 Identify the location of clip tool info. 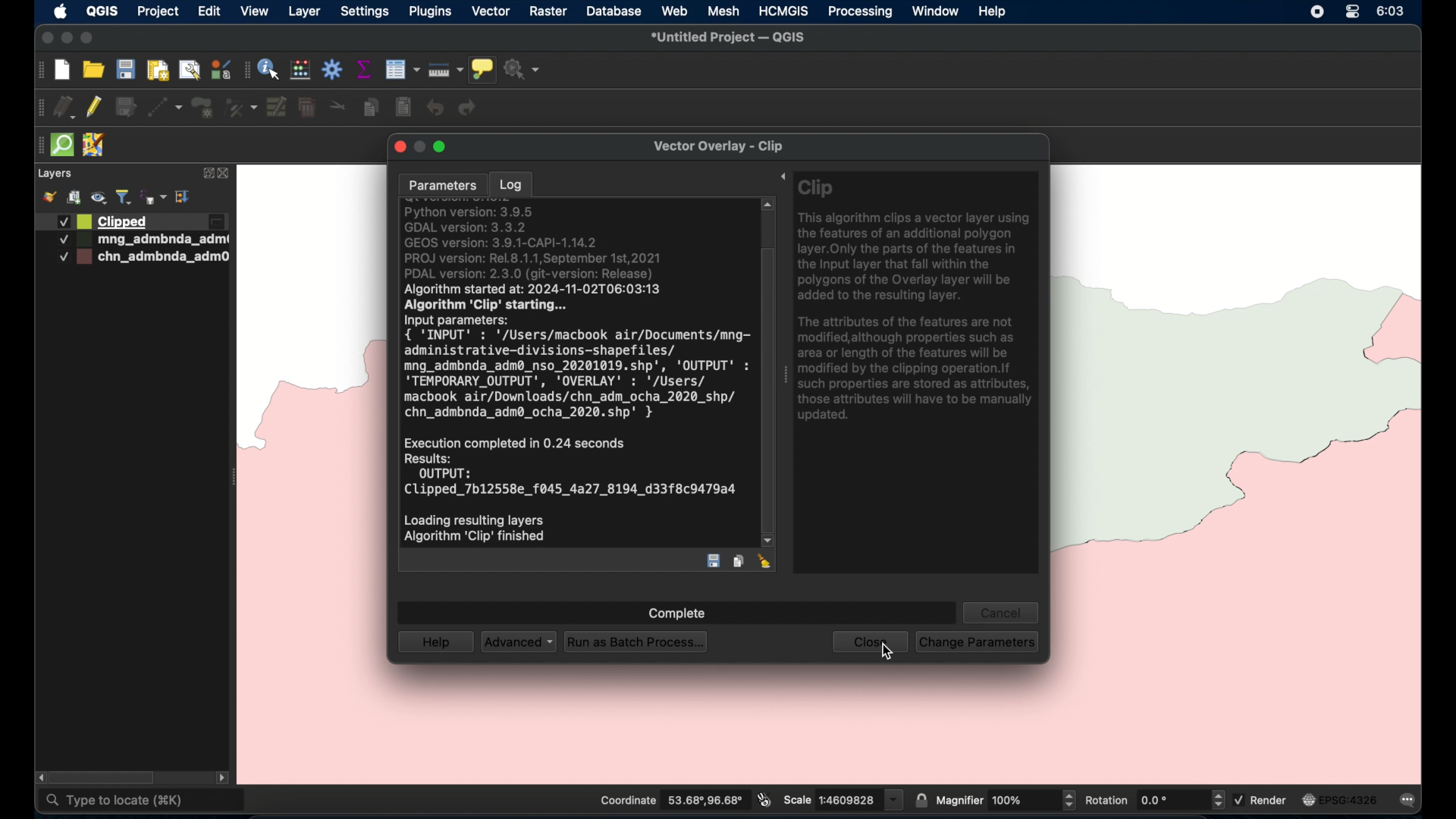
(916, 374).